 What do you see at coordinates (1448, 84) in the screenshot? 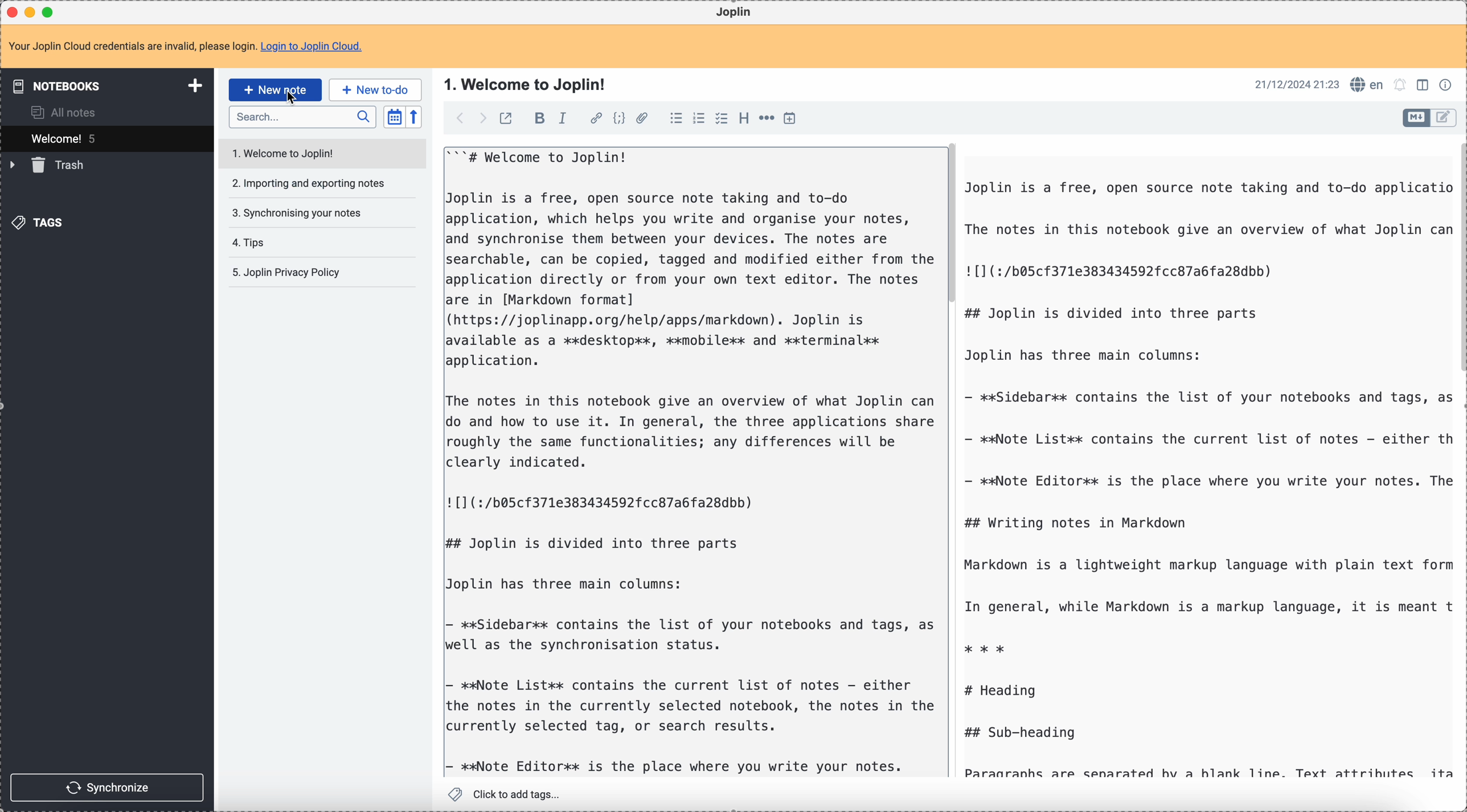
I see `note properties` at bounding box center [1448, 84].